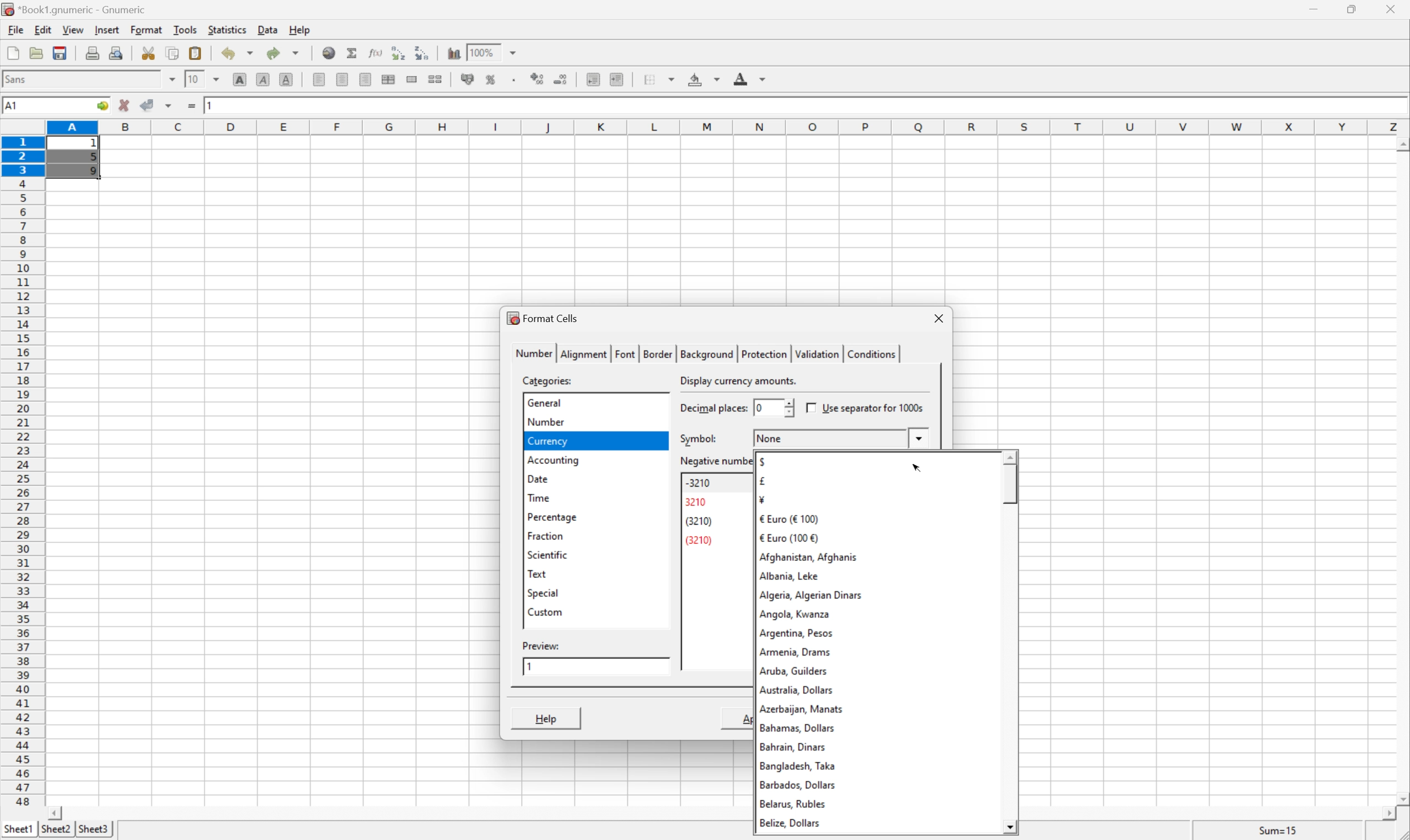 The height and width of the screenshot is (840, 1410). I want to click on underline, so click(288, 80).